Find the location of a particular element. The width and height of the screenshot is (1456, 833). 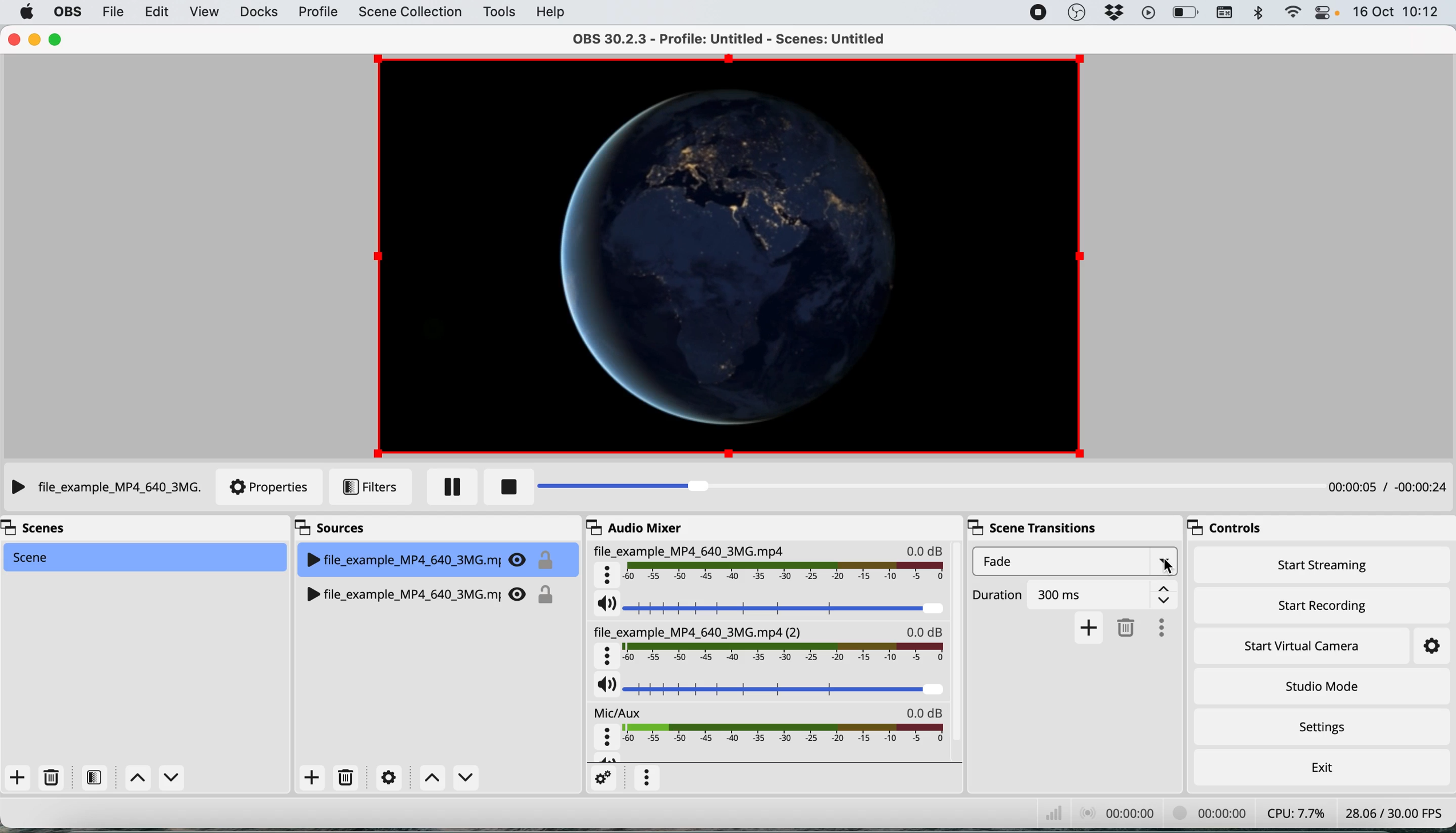

settings is located at coordinates (385, 778).